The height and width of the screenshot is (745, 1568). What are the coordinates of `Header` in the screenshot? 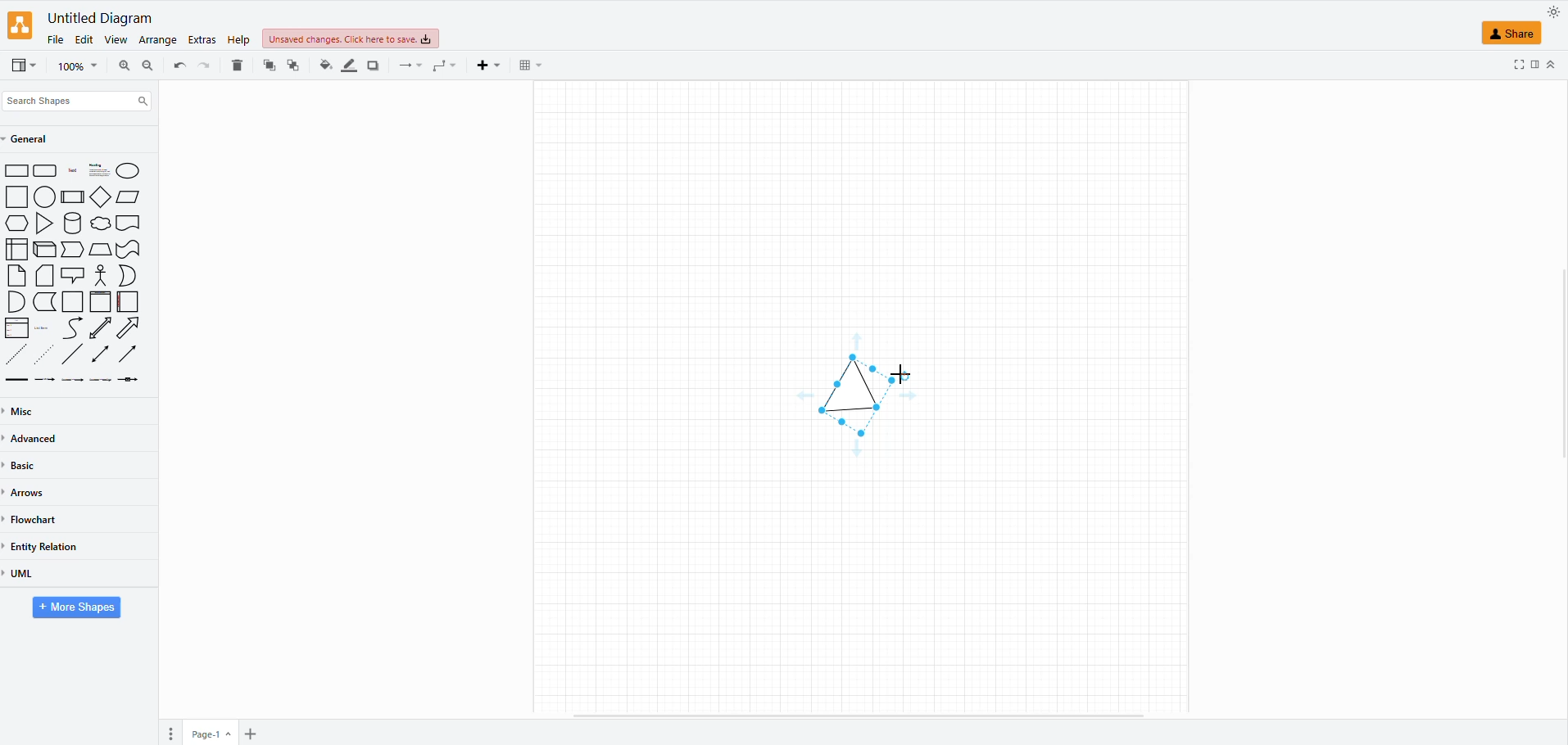 It's located at (128, 223).